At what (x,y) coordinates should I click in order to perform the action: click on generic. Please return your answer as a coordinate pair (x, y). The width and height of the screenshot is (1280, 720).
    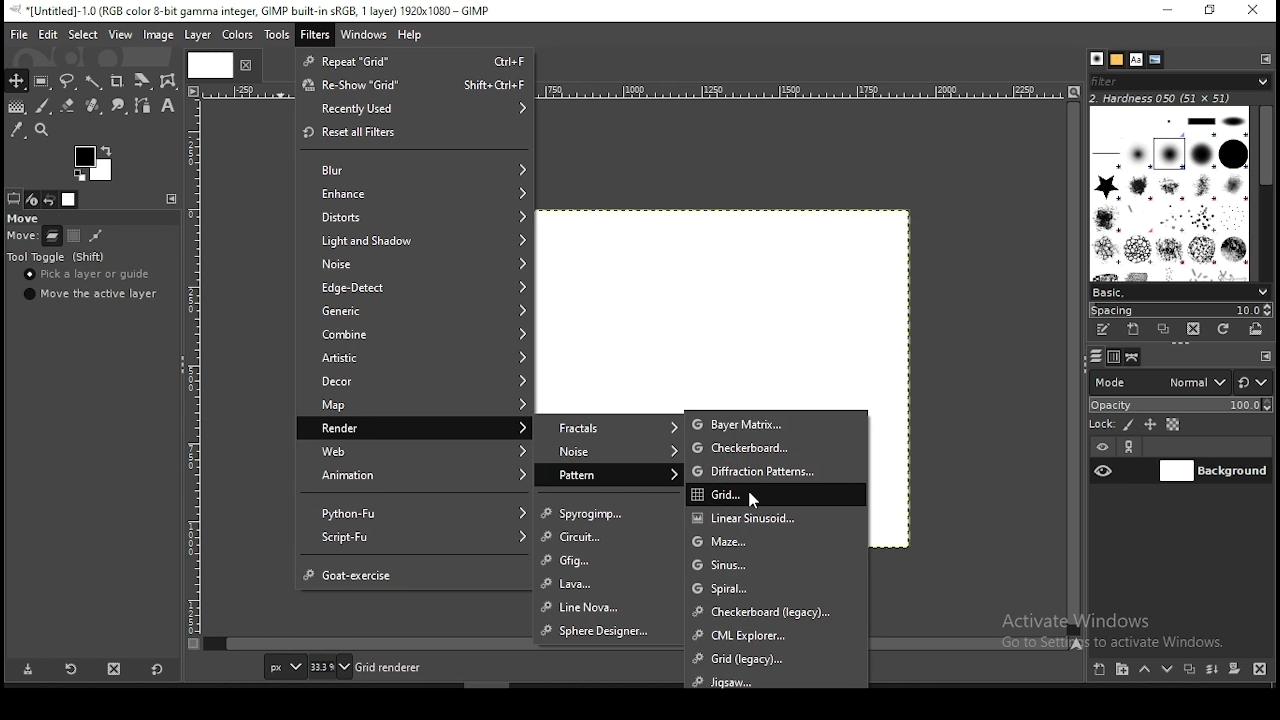
    Looking at the image, I should click on (416, 311).